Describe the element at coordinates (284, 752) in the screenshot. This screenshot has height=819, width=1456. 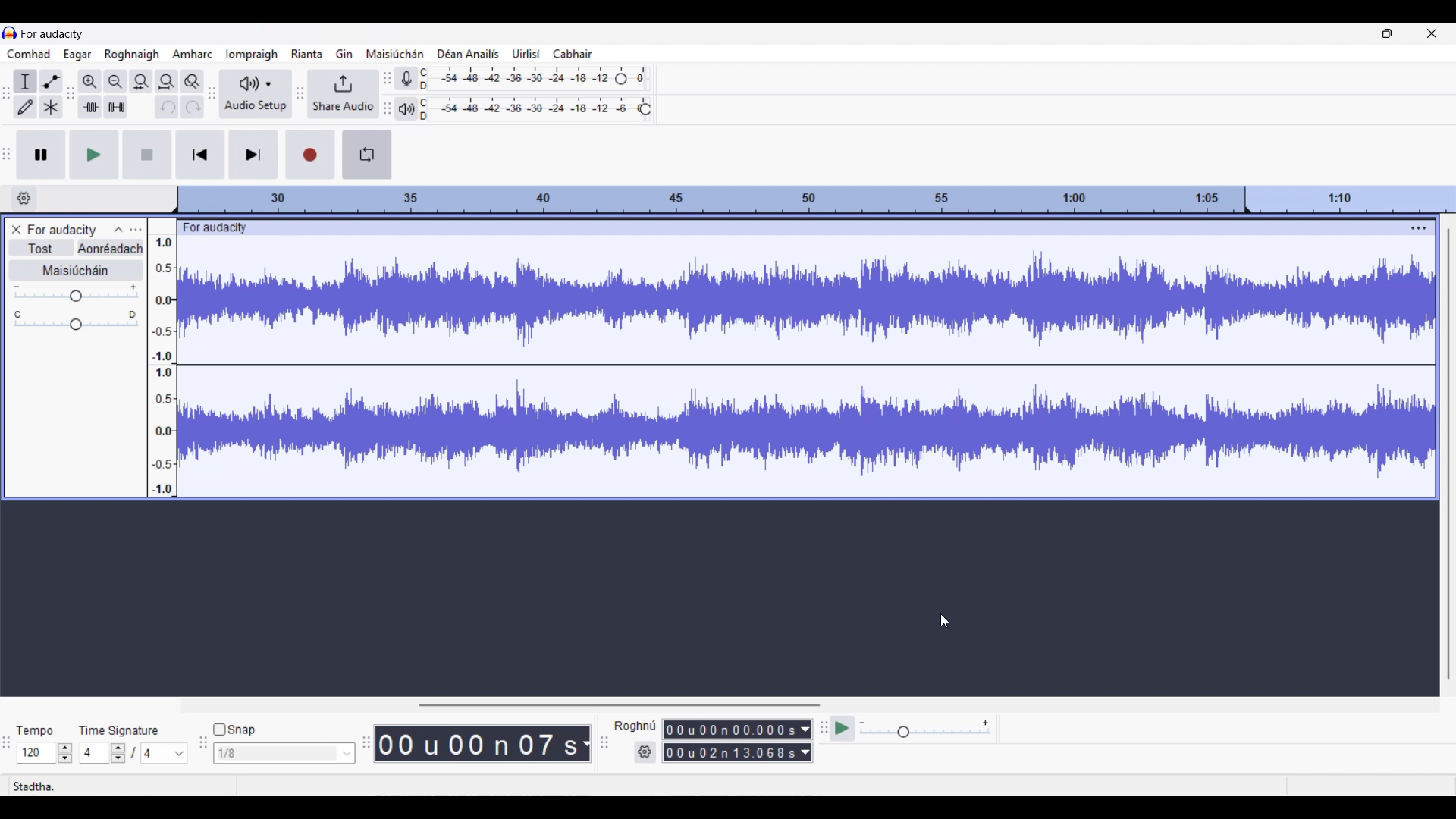
I see `1/8` at that location.